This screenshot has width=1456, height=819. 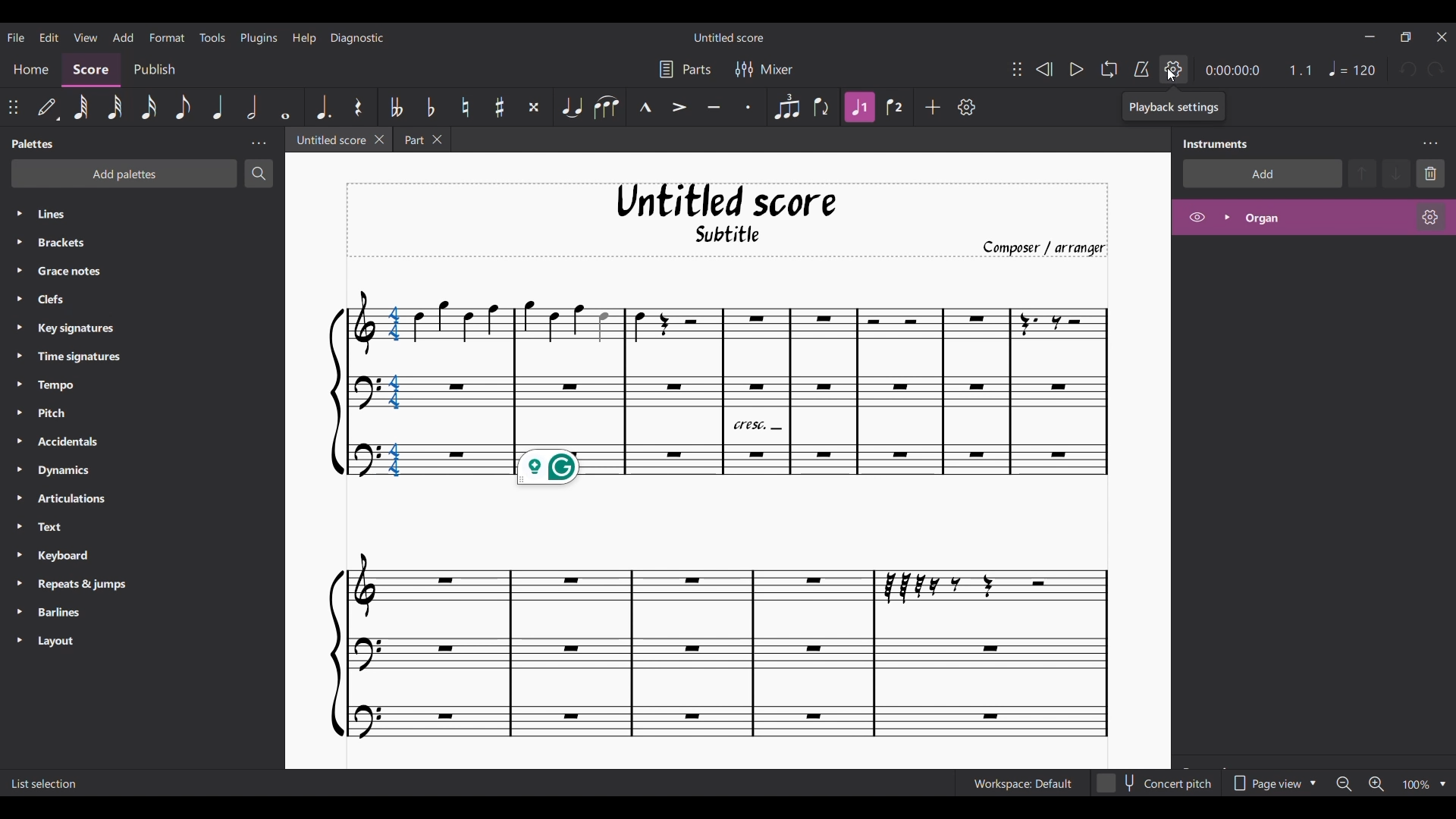 I want to click on Score, current section highlighted , so click(x=91, y=71).